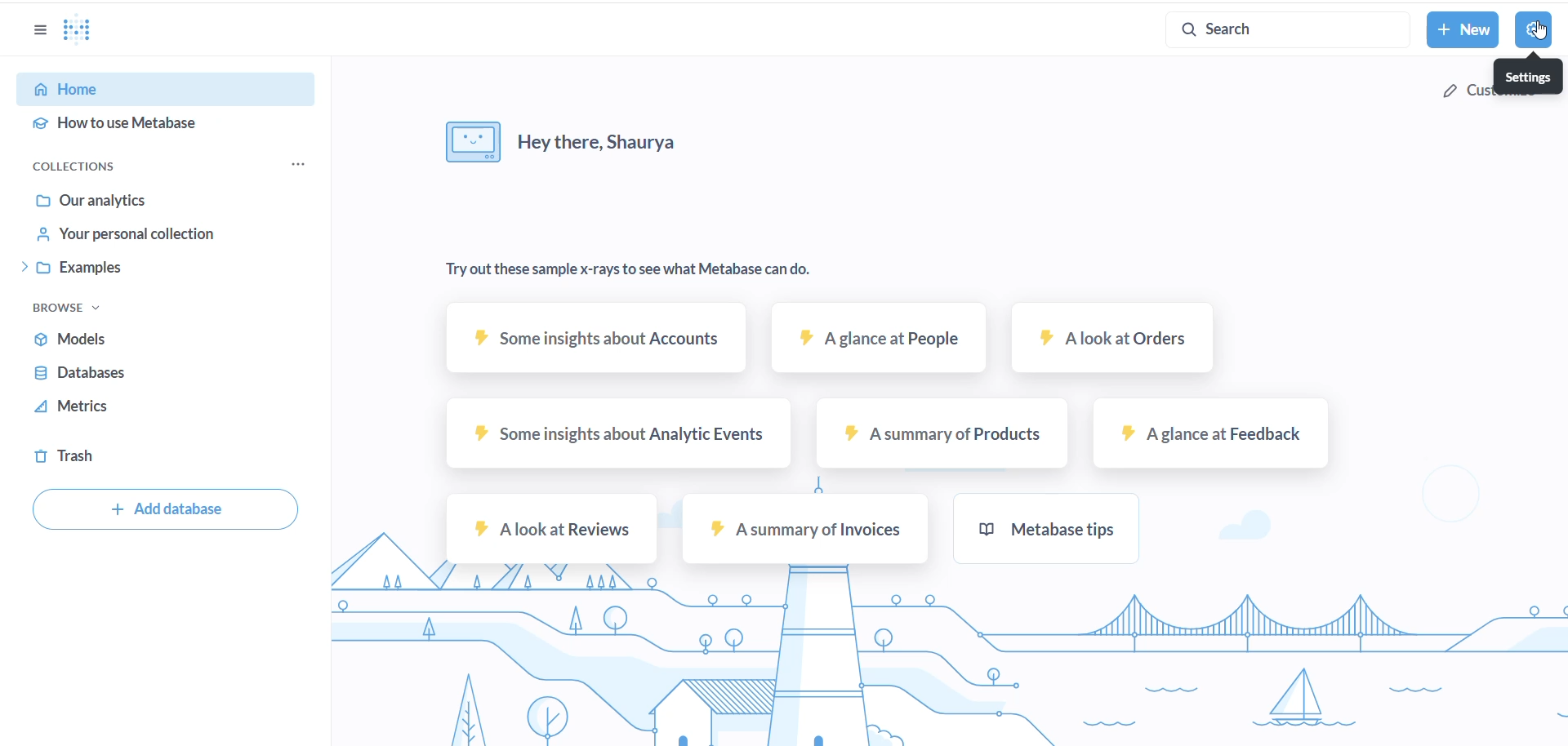  What do you see at coordinates (548, 534) in the screenshot?
I see `A look at review sample` at bounding box center [548, 534].